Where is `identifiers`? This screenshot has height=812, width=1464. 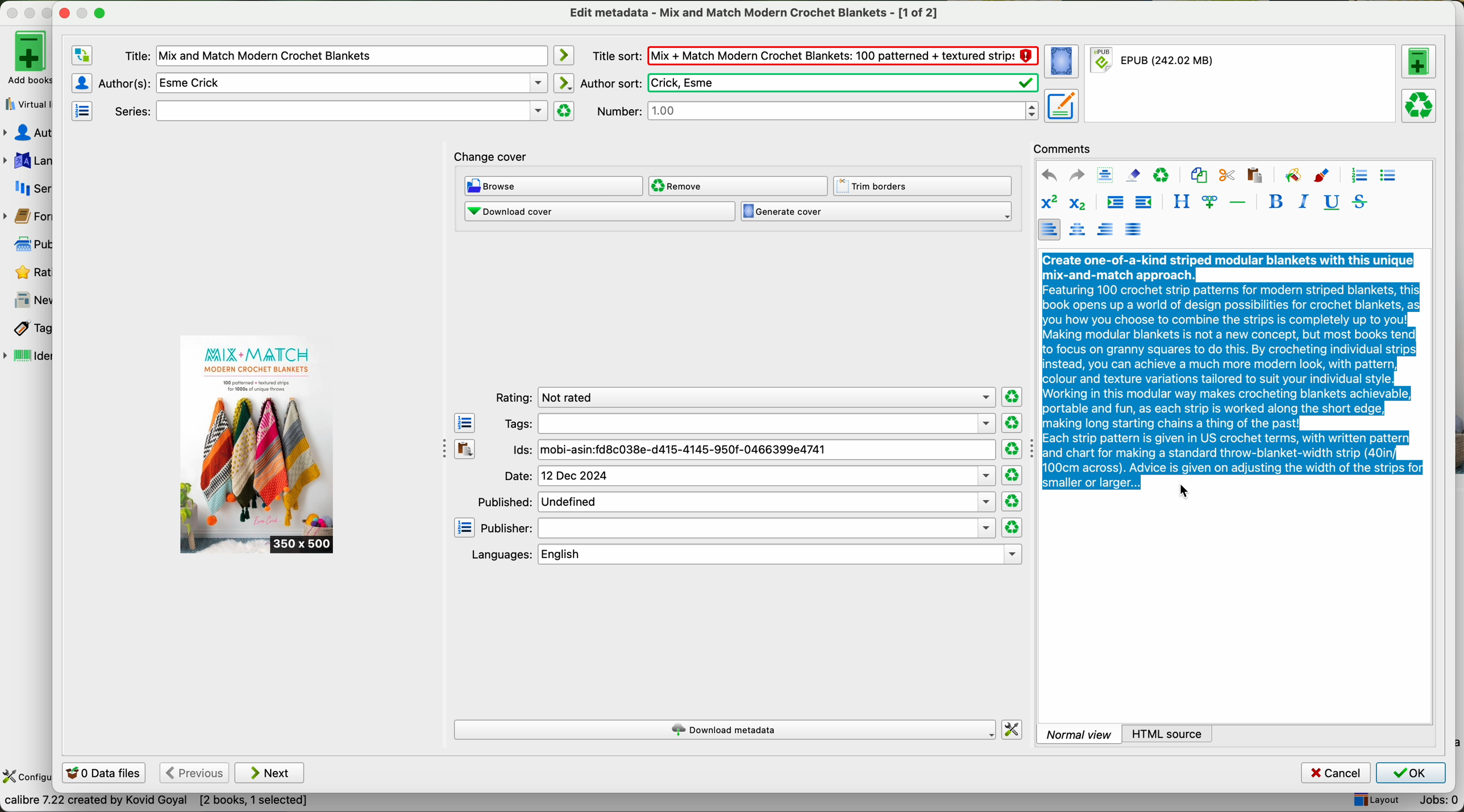 identifiers is located at coordinates (28, 357).